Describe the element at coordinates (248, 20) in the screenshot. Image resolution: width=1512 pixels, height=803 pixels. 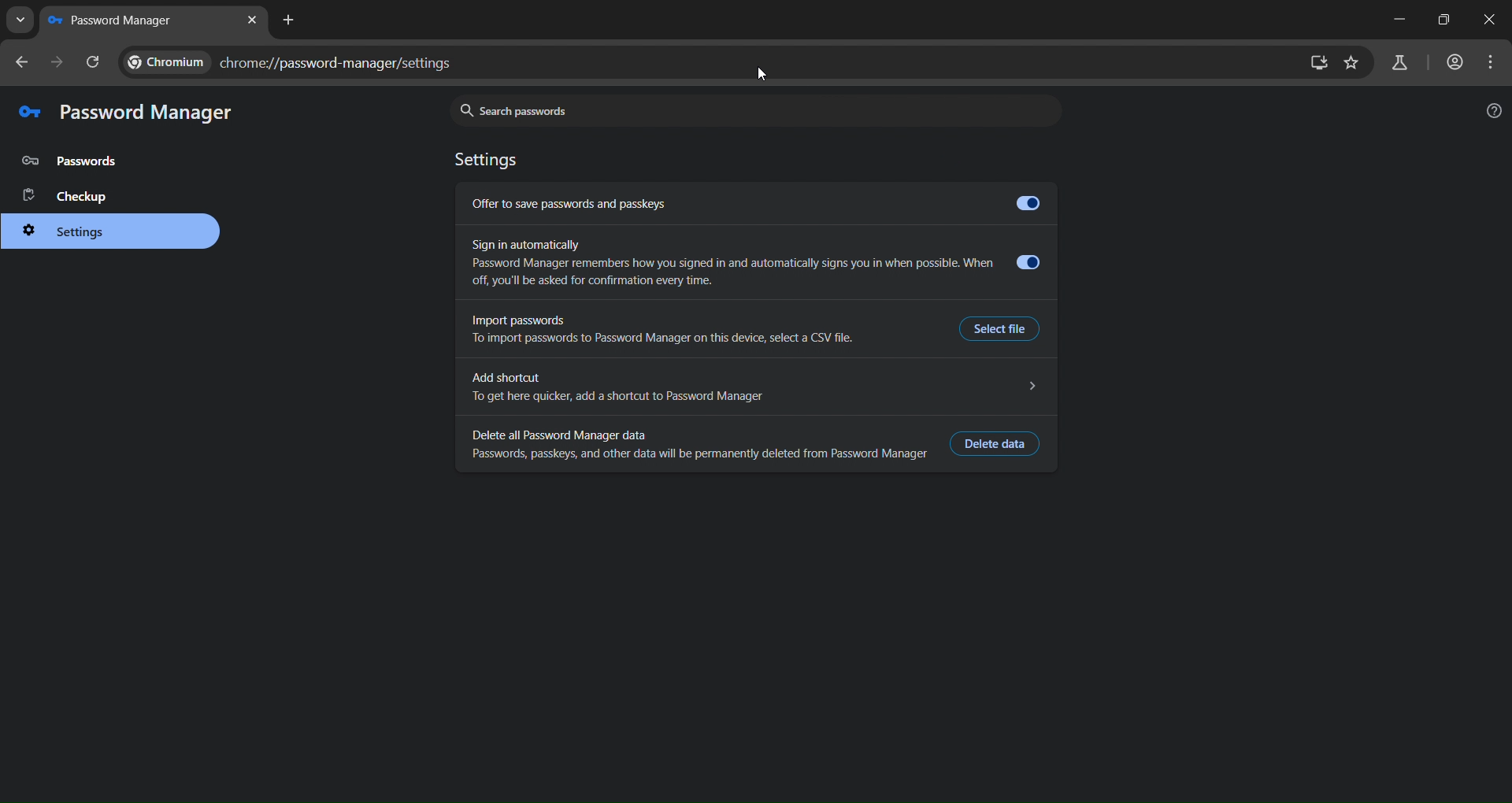
I see `close tab` at that location.